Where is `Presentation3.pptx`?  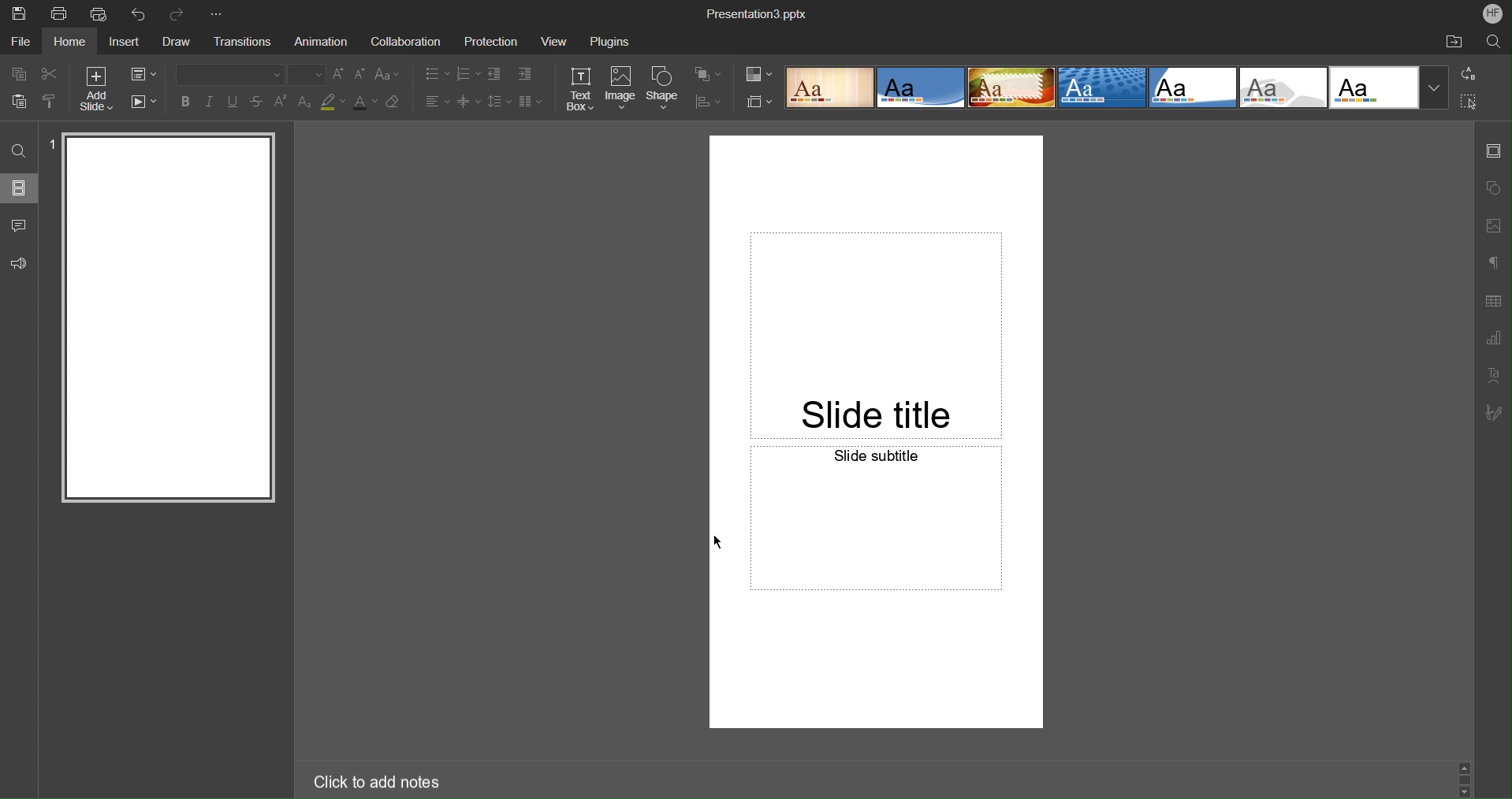
Presentation3.pptx is located at coordinates (758, 13).